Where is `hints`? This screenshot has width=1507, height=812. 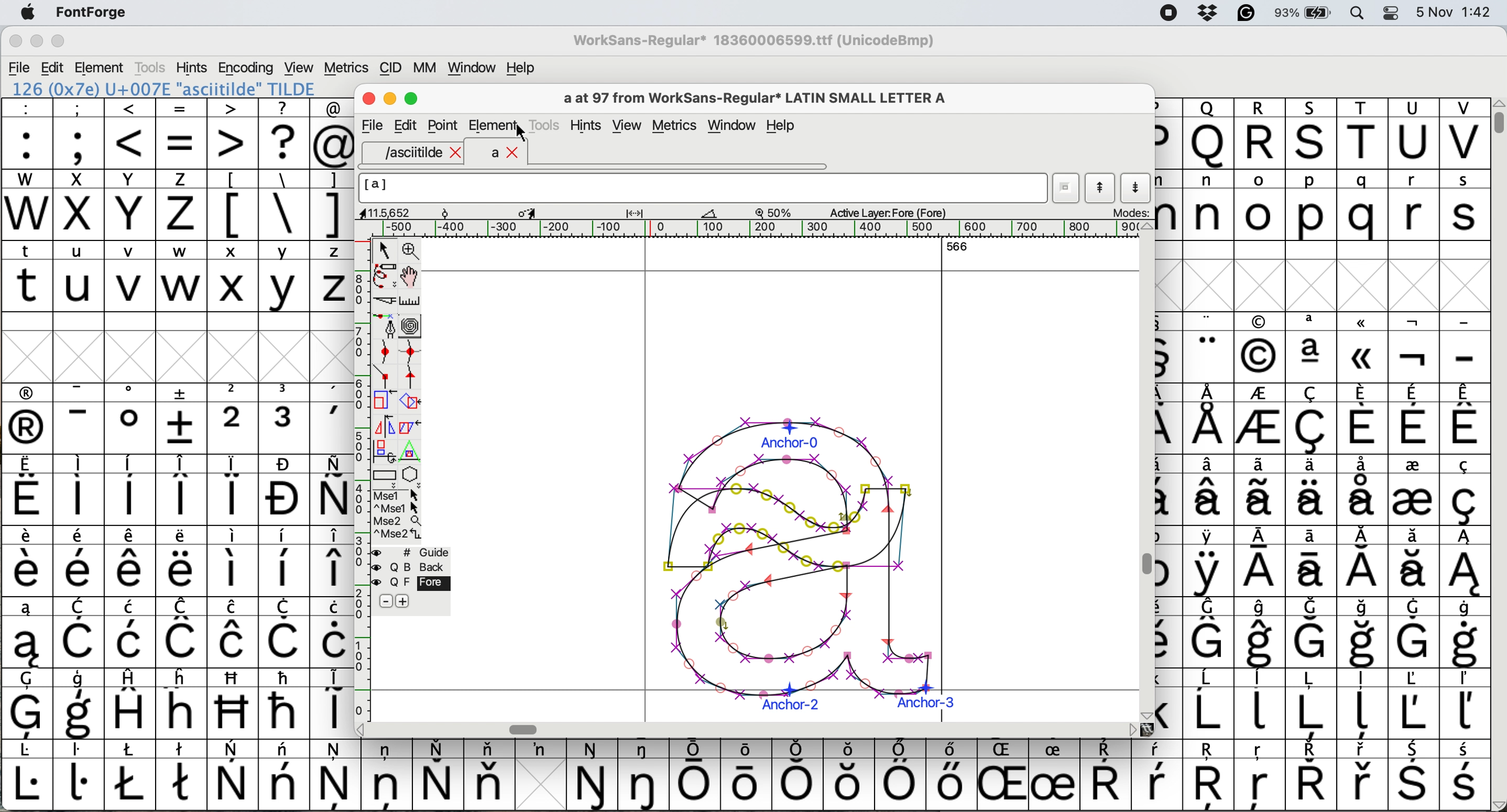
hints is located at coordinates (588, 126).